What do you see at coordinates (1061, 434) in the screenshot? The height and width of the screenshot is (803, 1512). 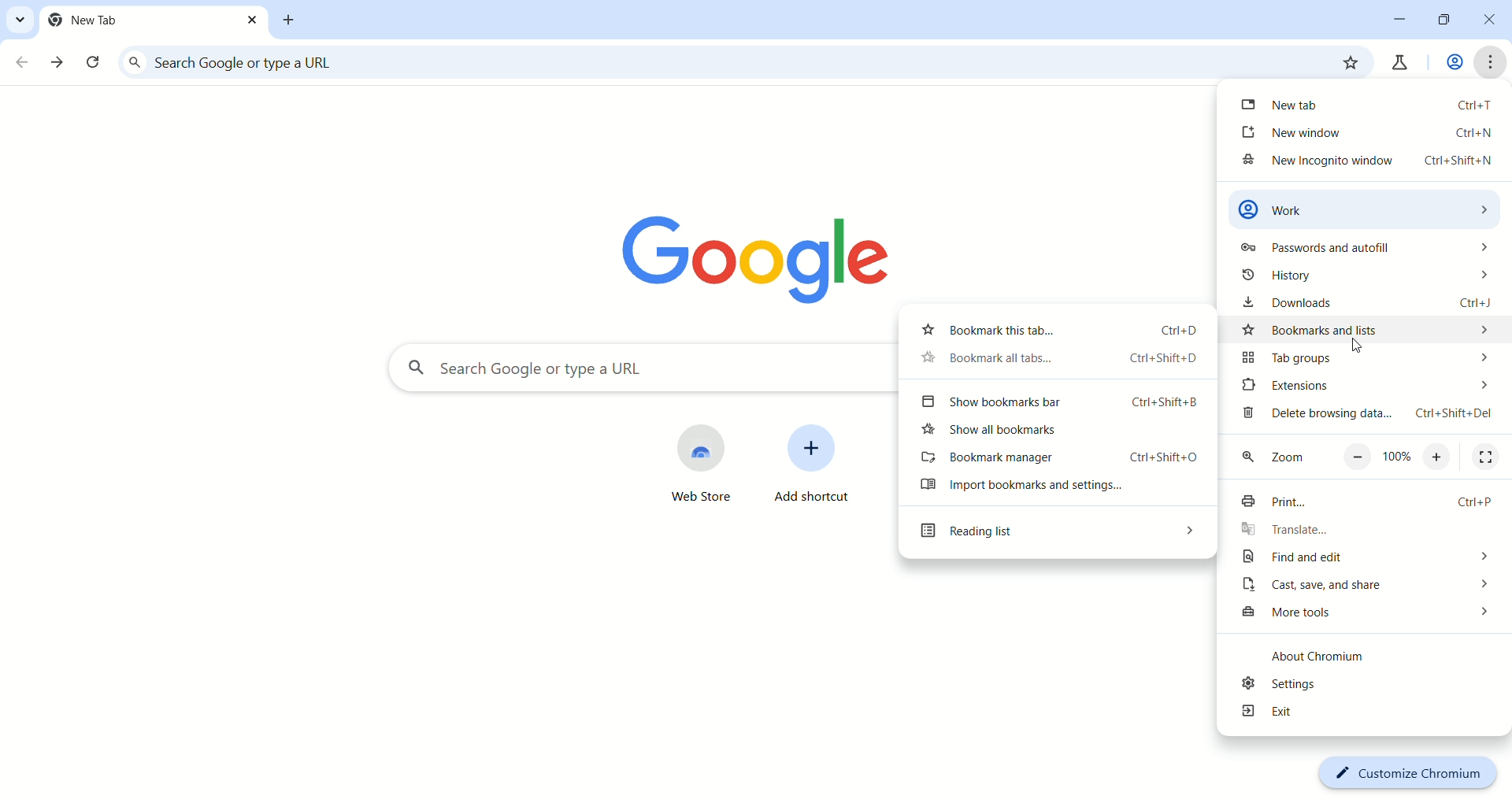 I see `show all bookmarks` at bounding box center [1061, 434].